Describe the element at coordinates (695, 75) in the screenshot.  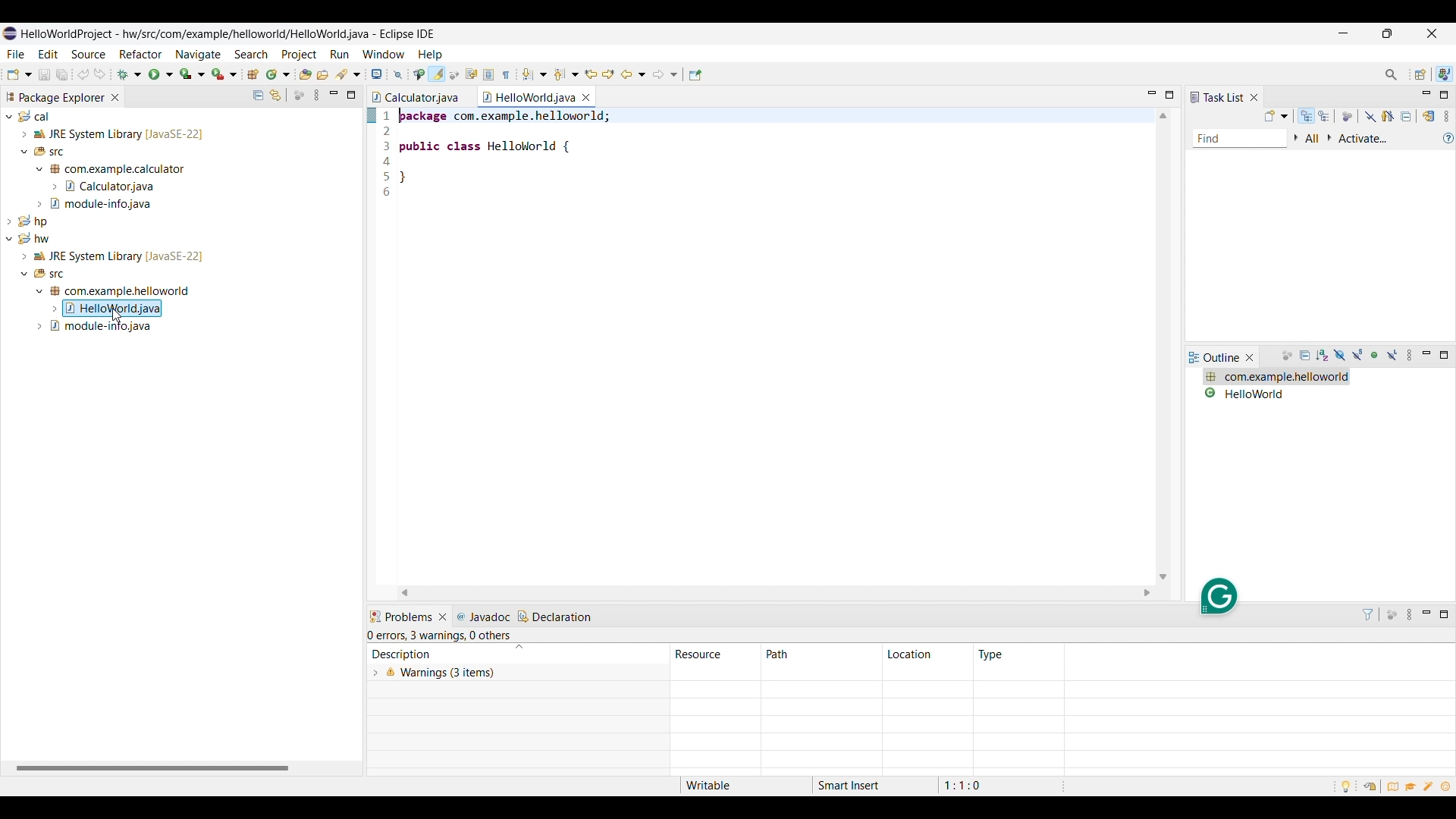
I see `Pin editor` at that location.